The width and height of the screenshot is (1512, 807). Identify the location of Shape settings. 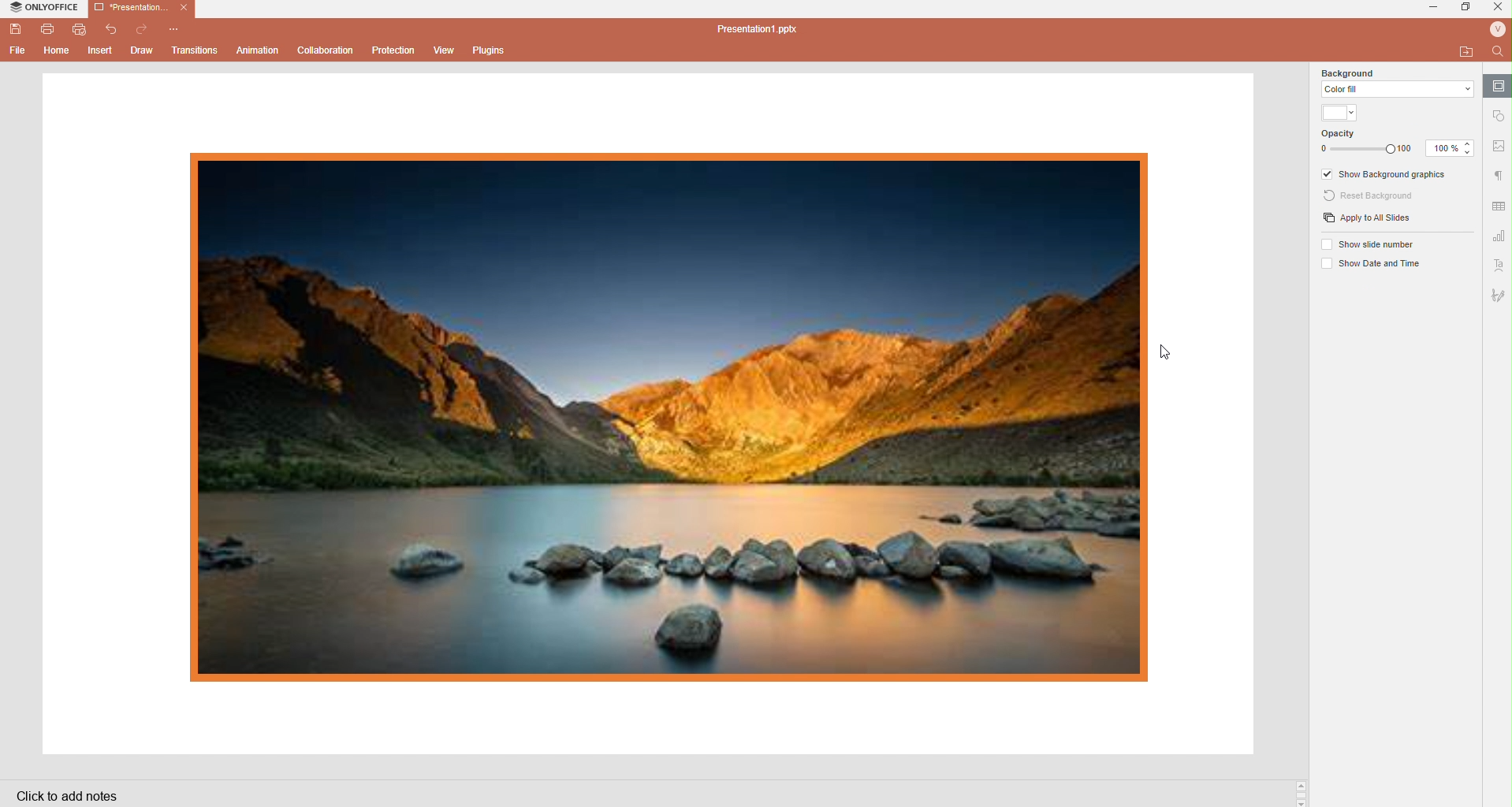
(1499, 117).